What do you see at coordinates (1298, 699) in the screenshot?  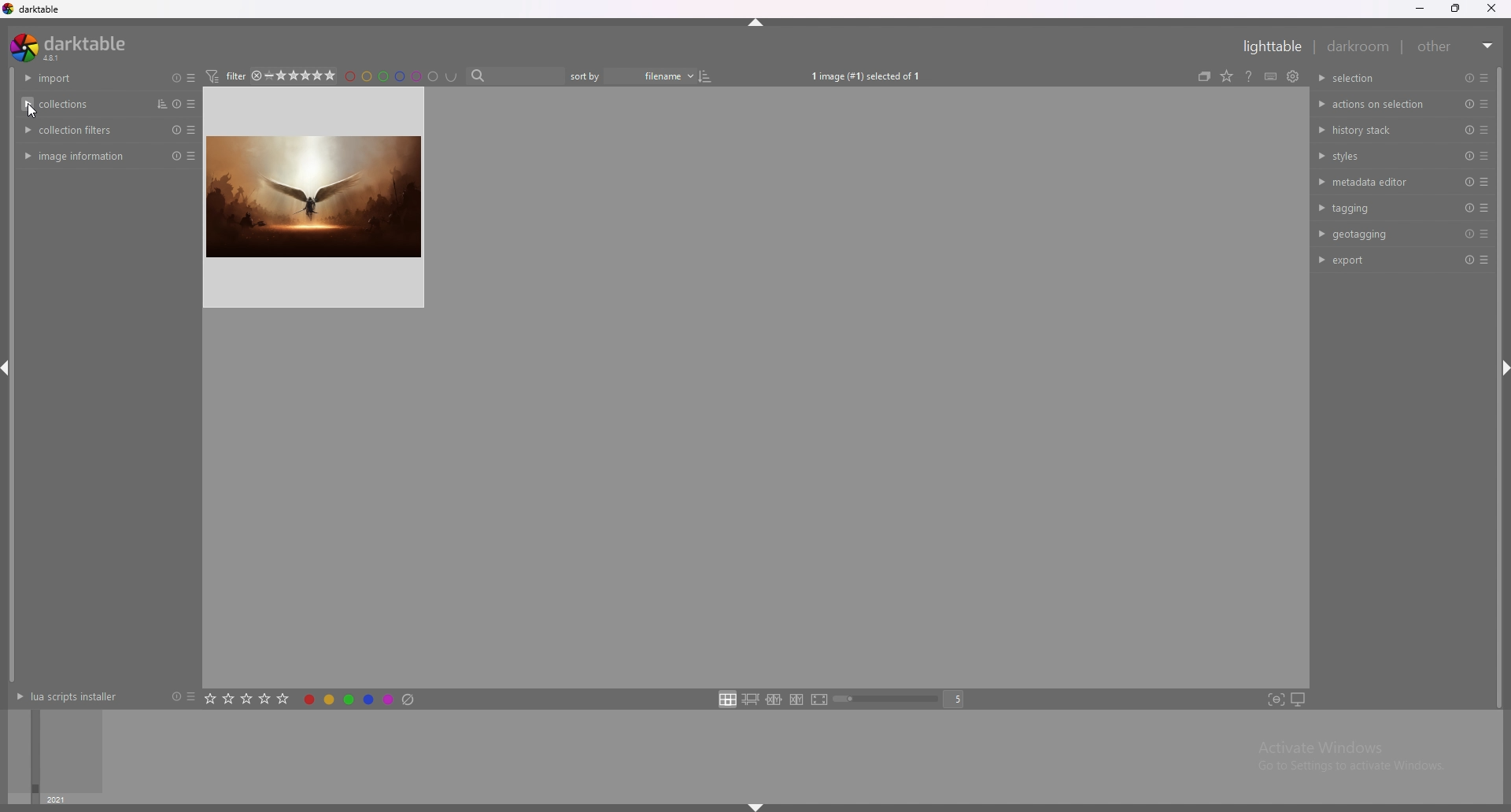 I see `set display profile` at bounding box center [1298, 699].